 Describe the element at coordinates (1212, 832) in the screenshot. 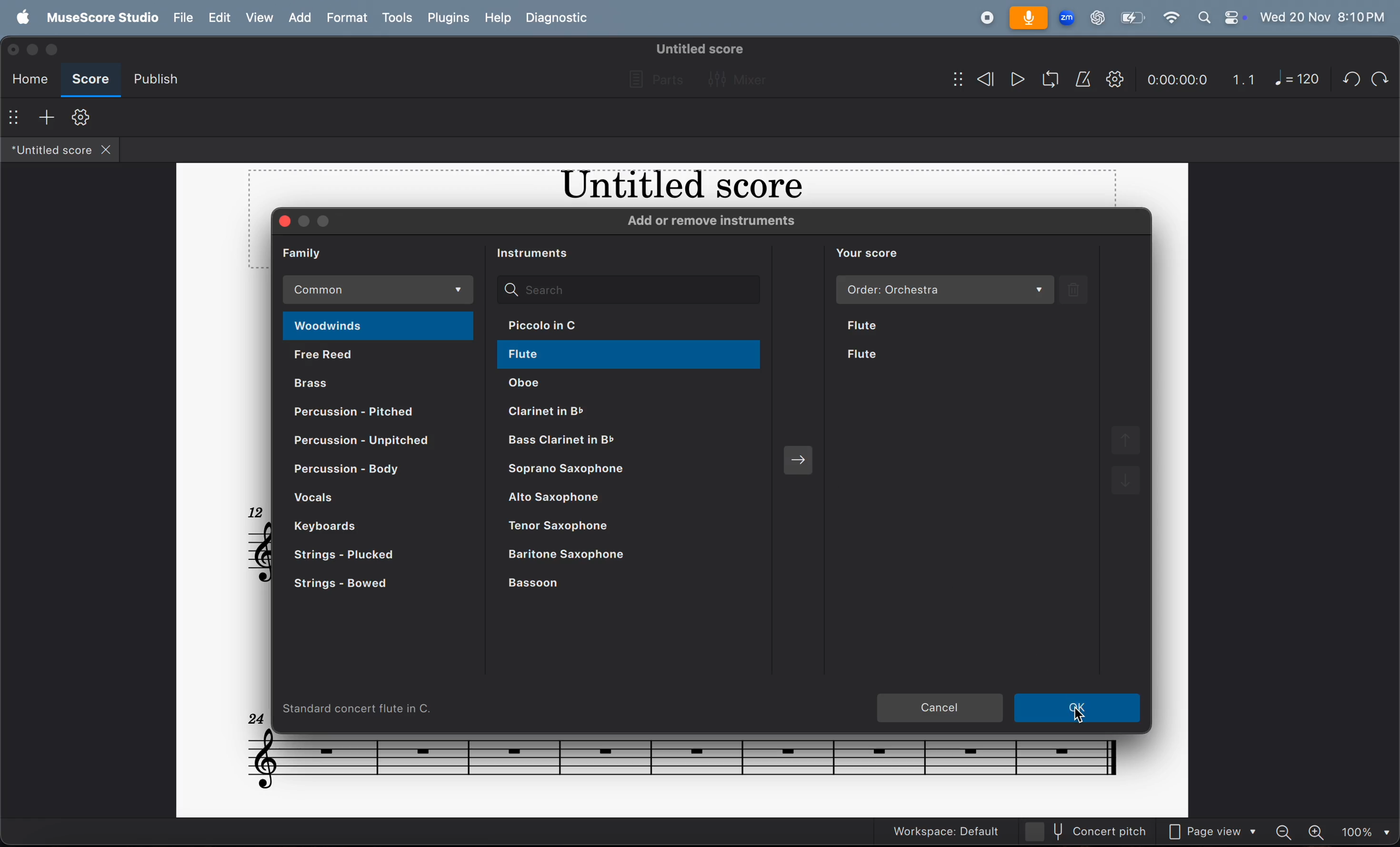

I see `page view` at that location.